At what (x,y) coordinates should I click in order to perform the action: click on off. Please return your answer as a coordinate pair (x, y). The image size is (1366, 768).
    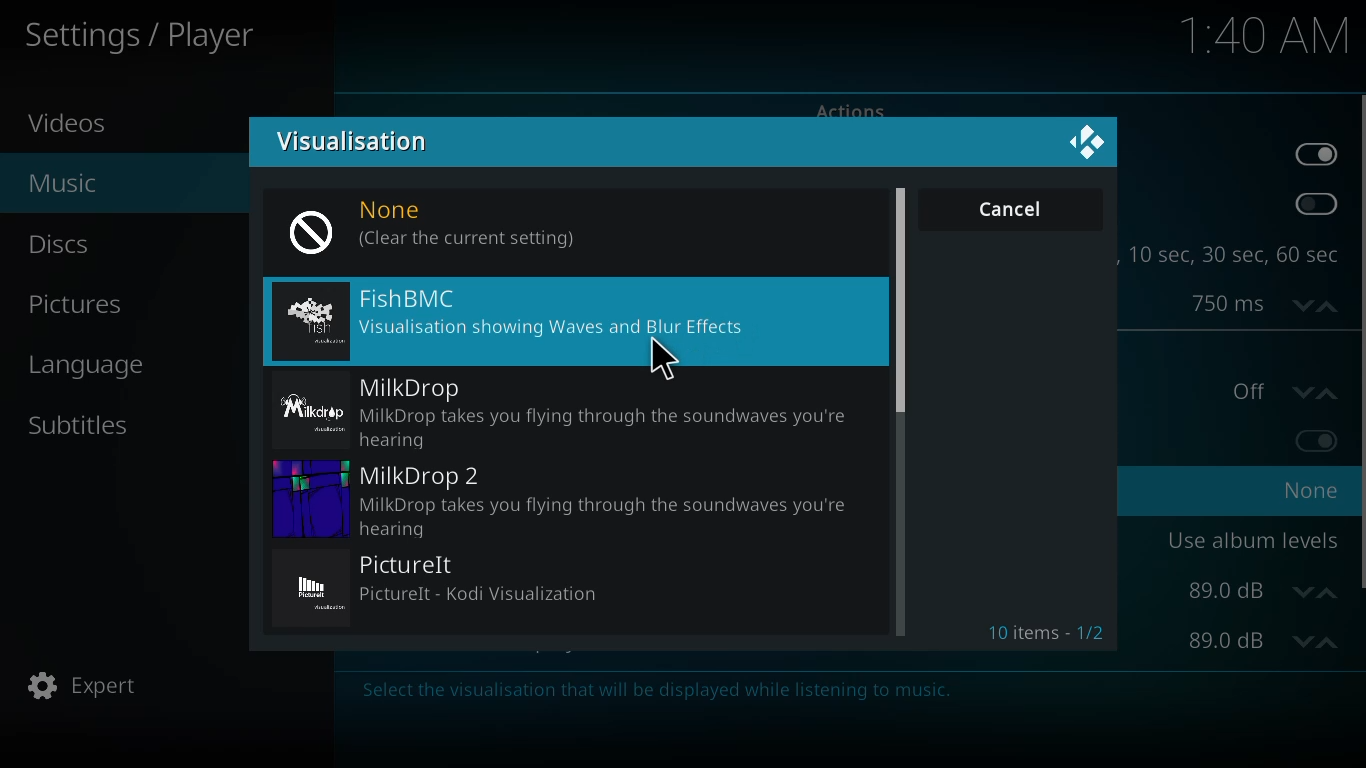
    Looking at the image, I should click on (1283, 390).